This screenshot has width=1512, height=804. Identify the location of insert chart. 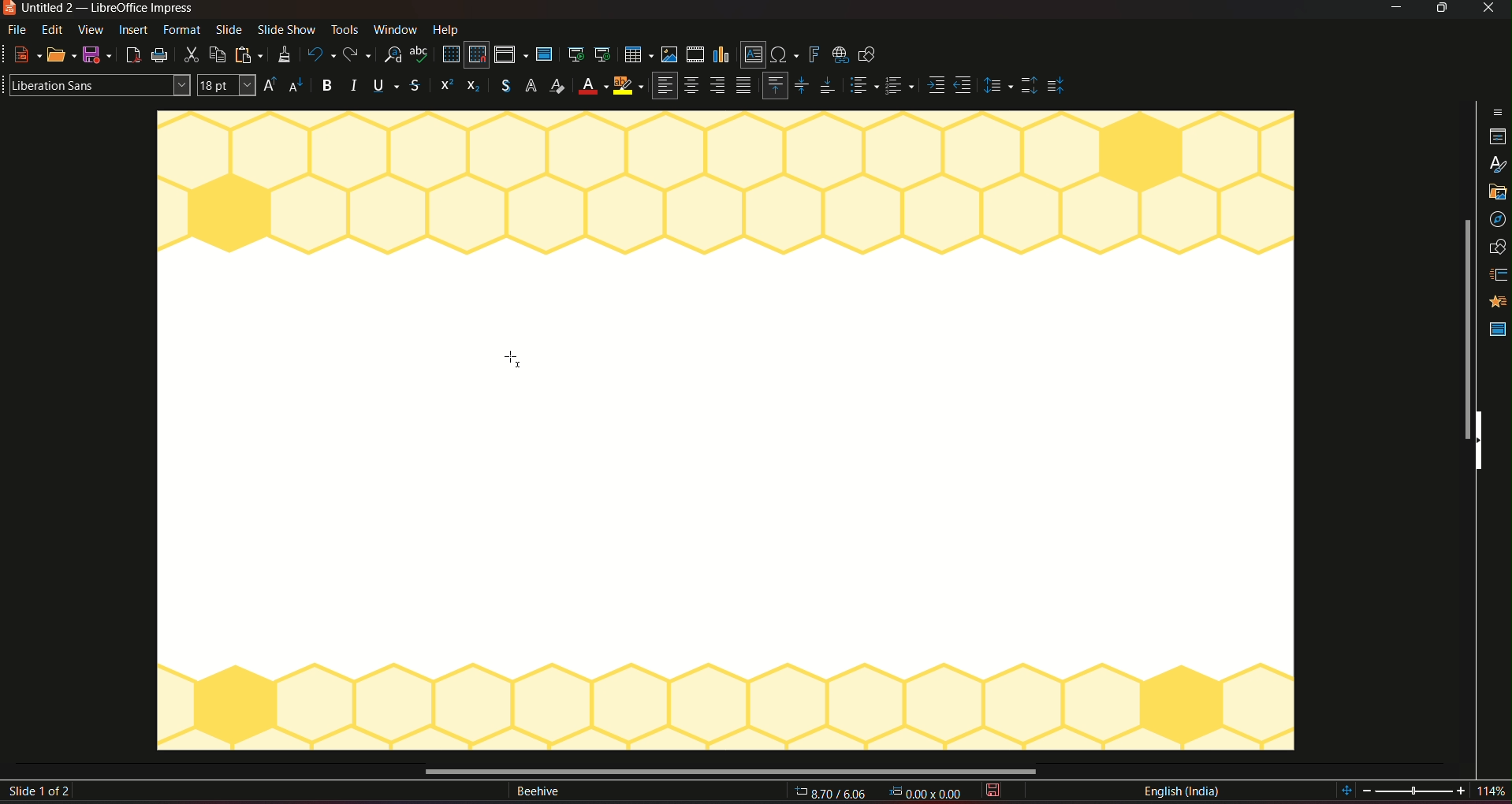
(723, 54).